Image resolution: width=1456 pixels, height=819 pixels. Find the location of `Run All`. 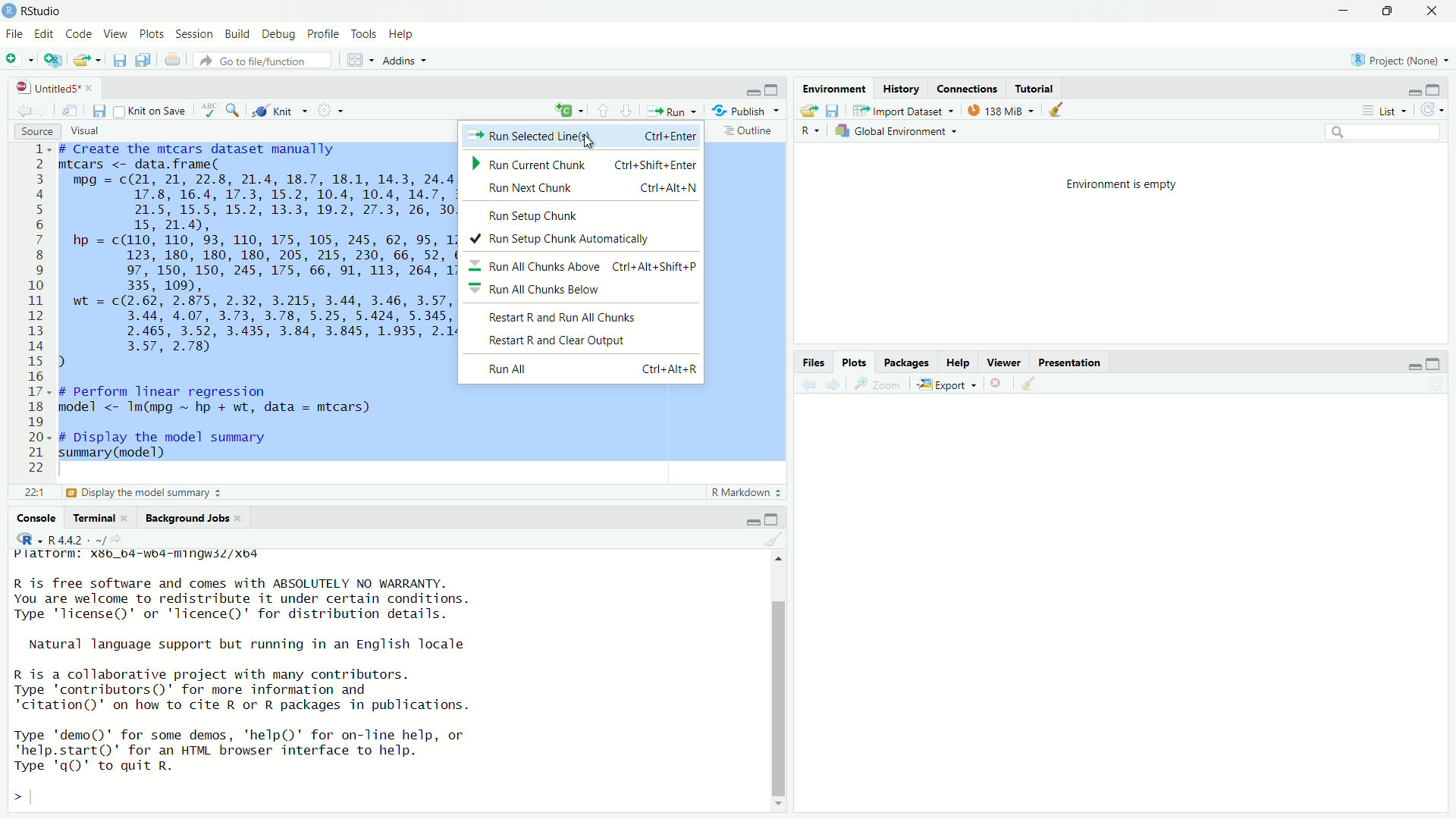

Run All is located at coordinates (509, 369).